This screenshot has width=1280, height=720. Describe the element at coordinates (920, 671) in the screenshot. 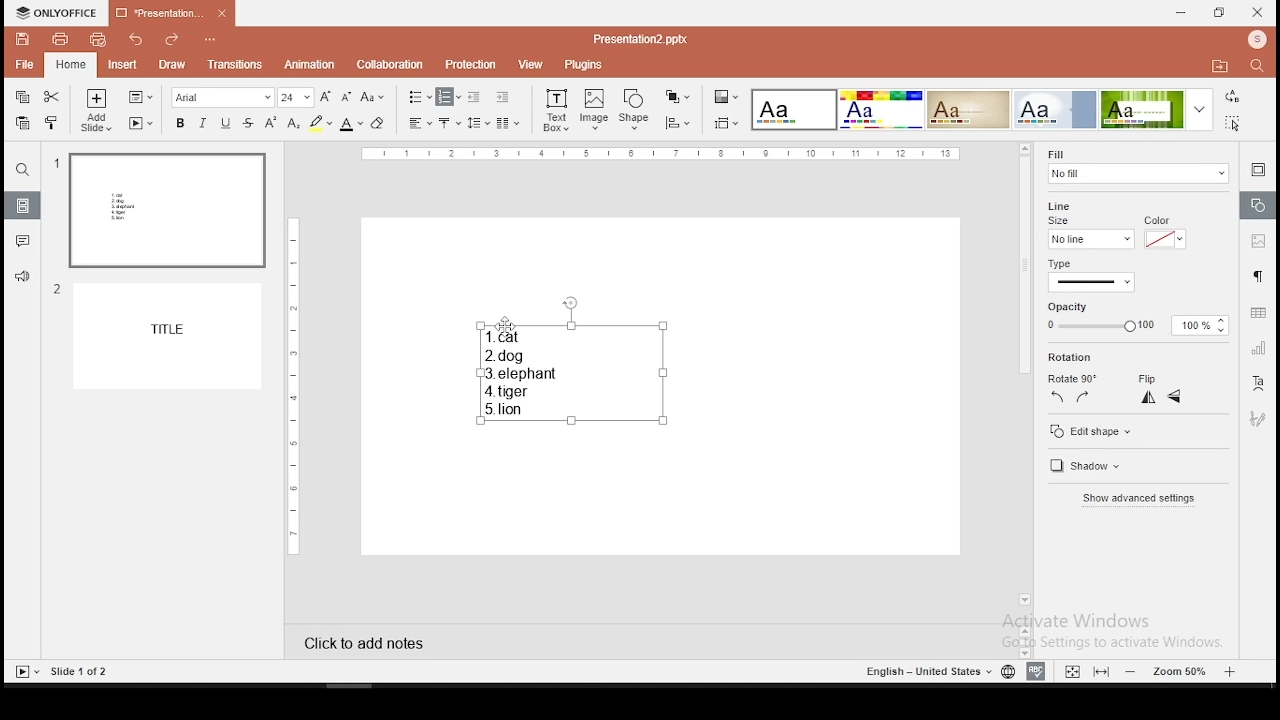

I see `English` at that location.